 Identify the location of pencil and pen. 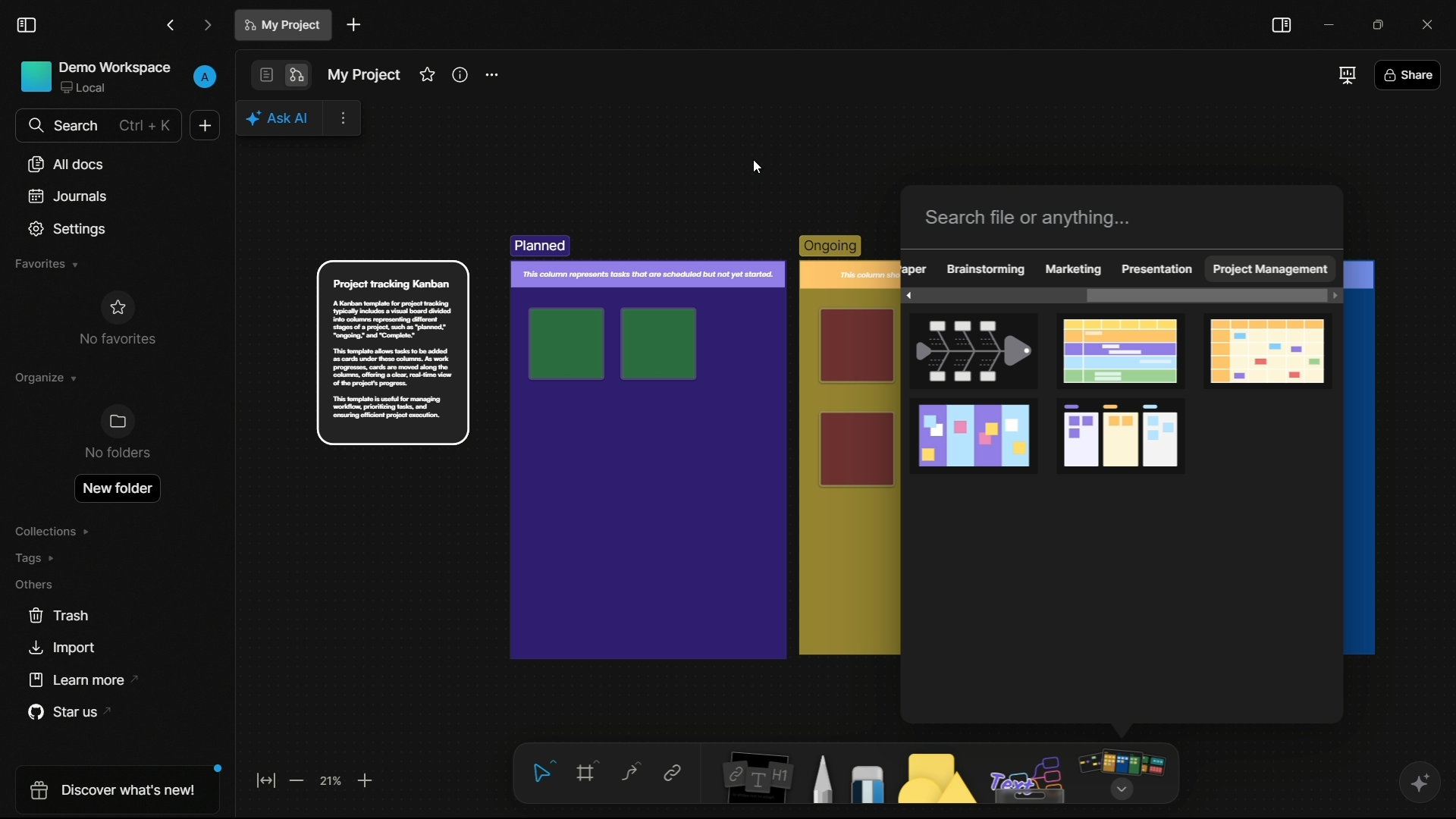
(821, 778).